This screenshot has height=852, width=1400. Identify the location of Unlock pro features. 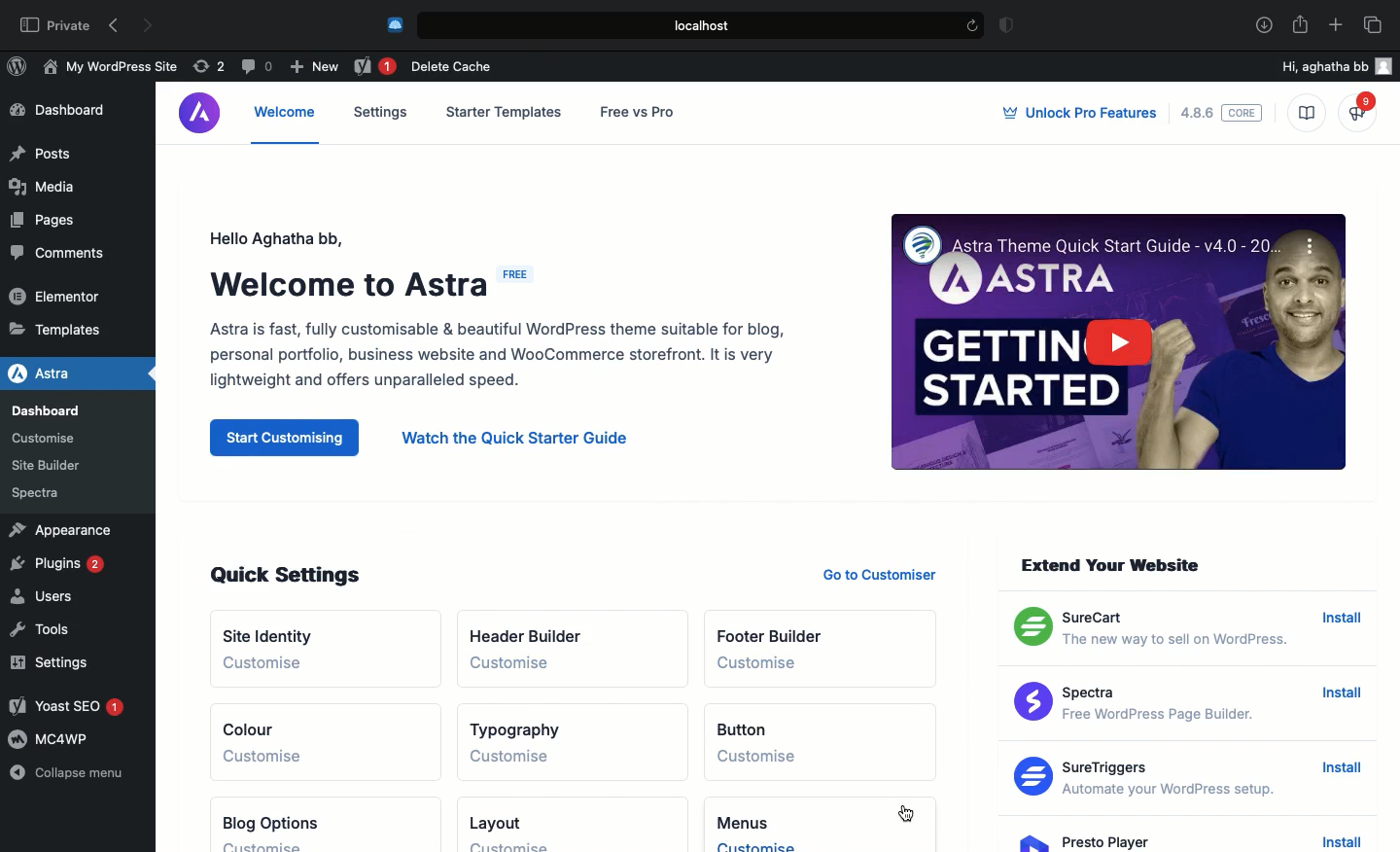
(1076, 114).